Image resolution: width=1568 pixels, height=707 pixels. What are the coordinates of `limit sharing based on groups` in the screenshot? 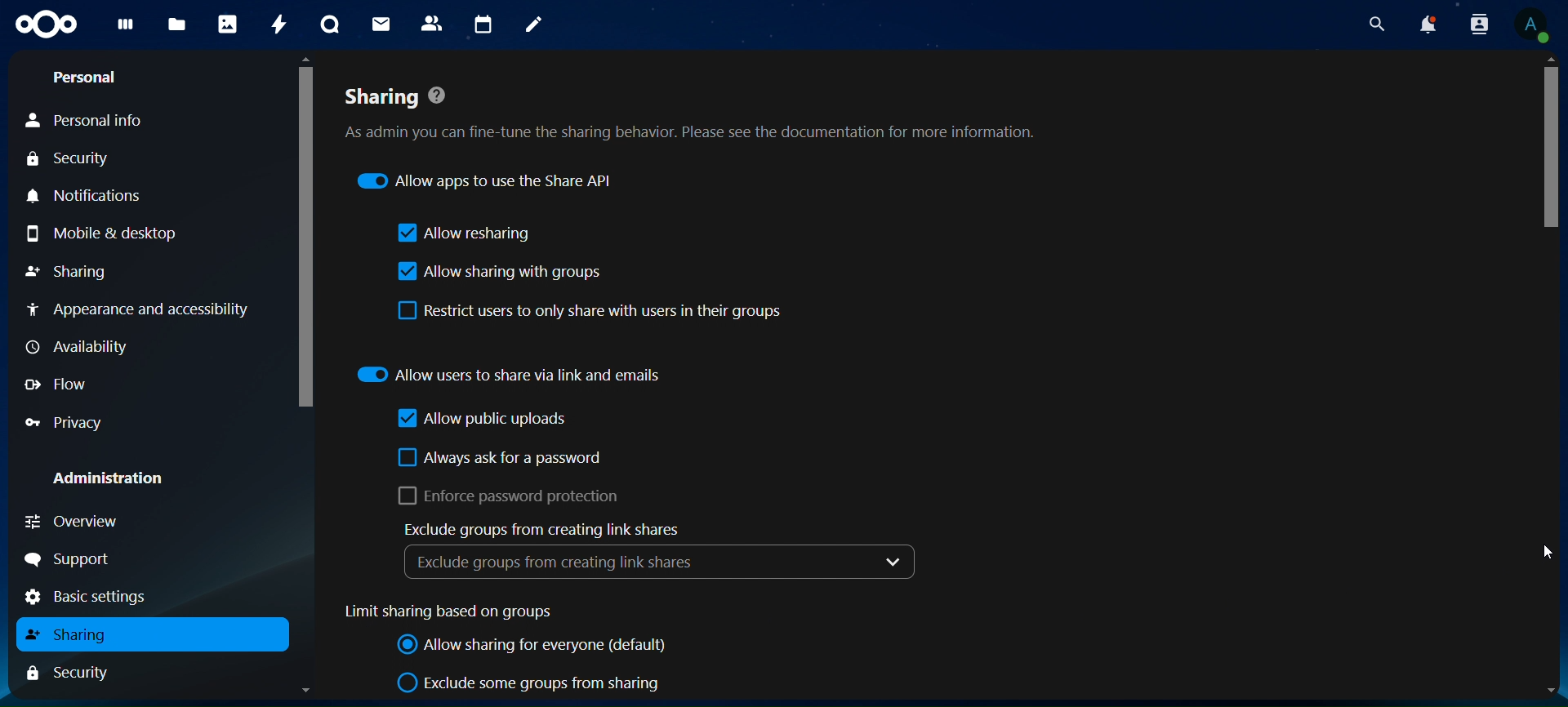 It's located at (460, 612).